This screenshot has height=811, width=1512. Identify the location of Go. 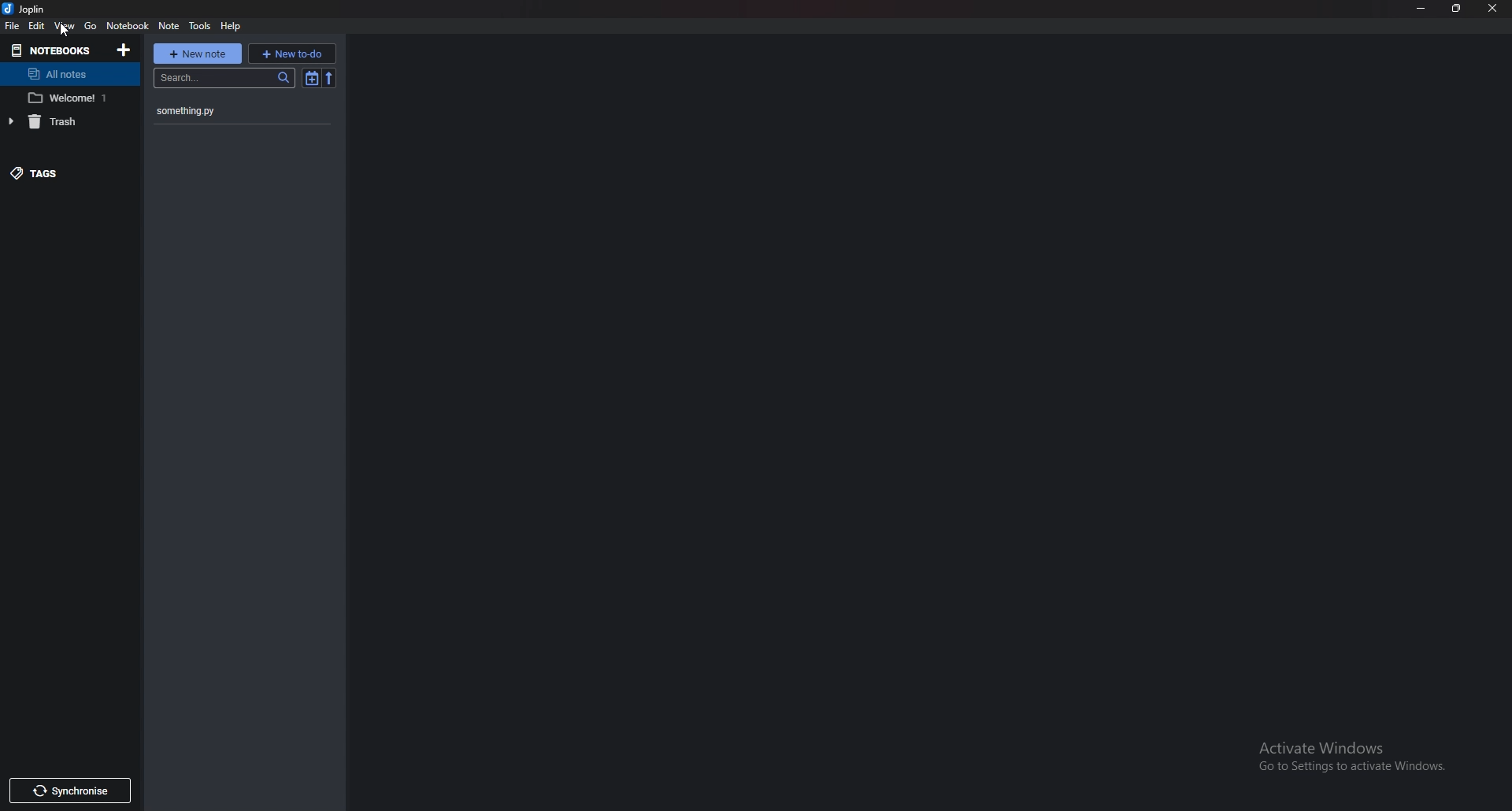
(91, 26).